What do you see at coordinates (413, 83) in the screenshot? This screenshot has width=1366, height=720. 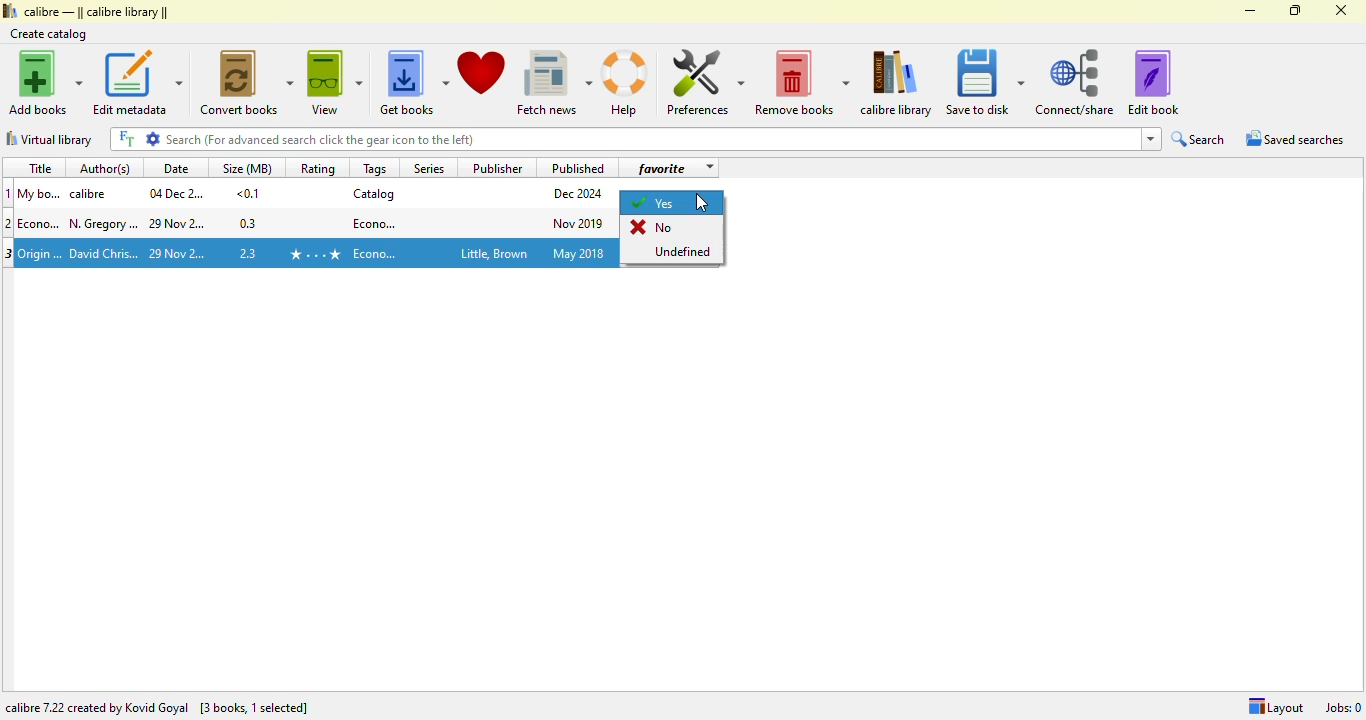 I see `get books` at bounding box center [413, 83].